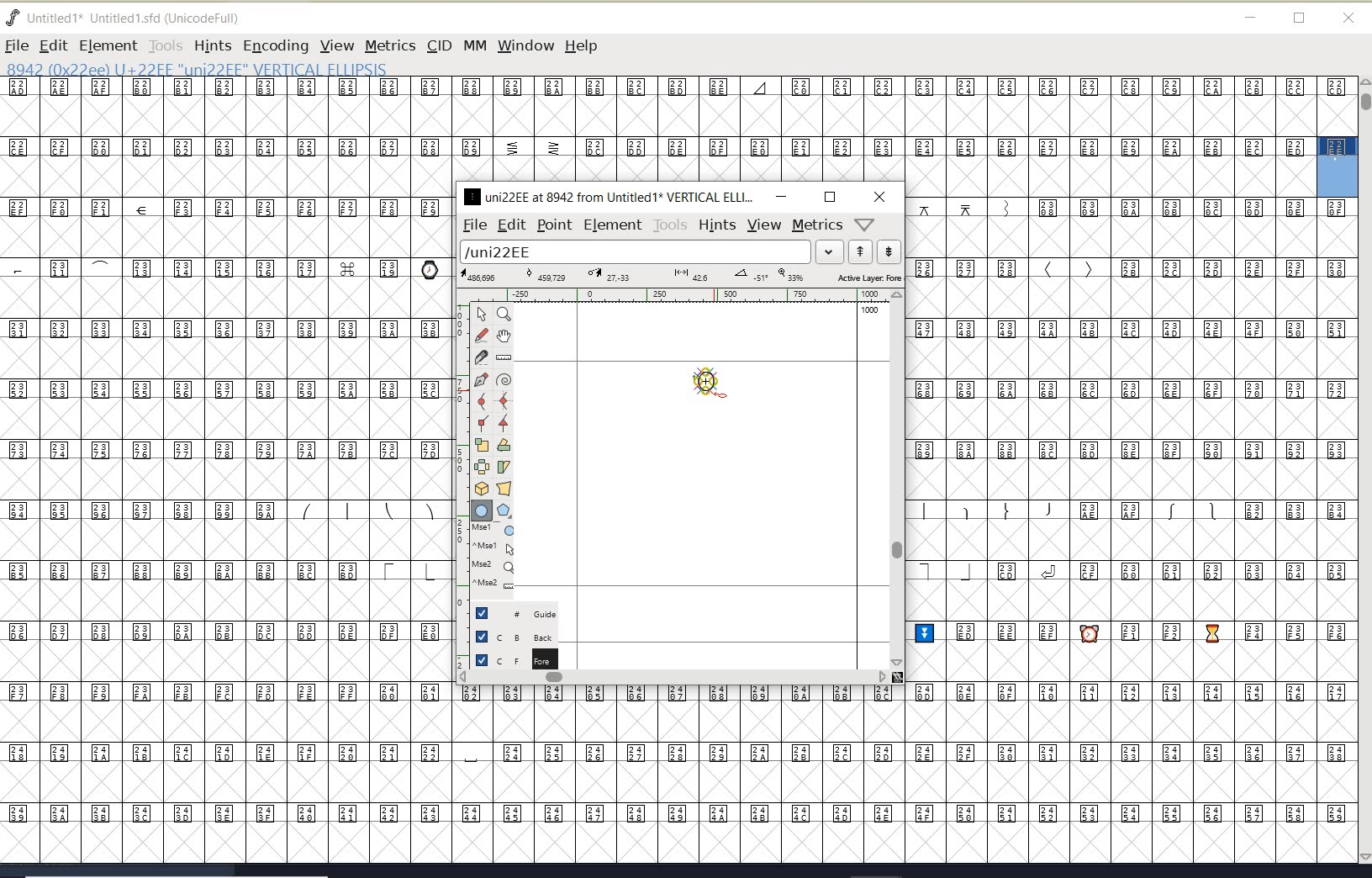  I want to click on add a corner point, so click(483, 422).